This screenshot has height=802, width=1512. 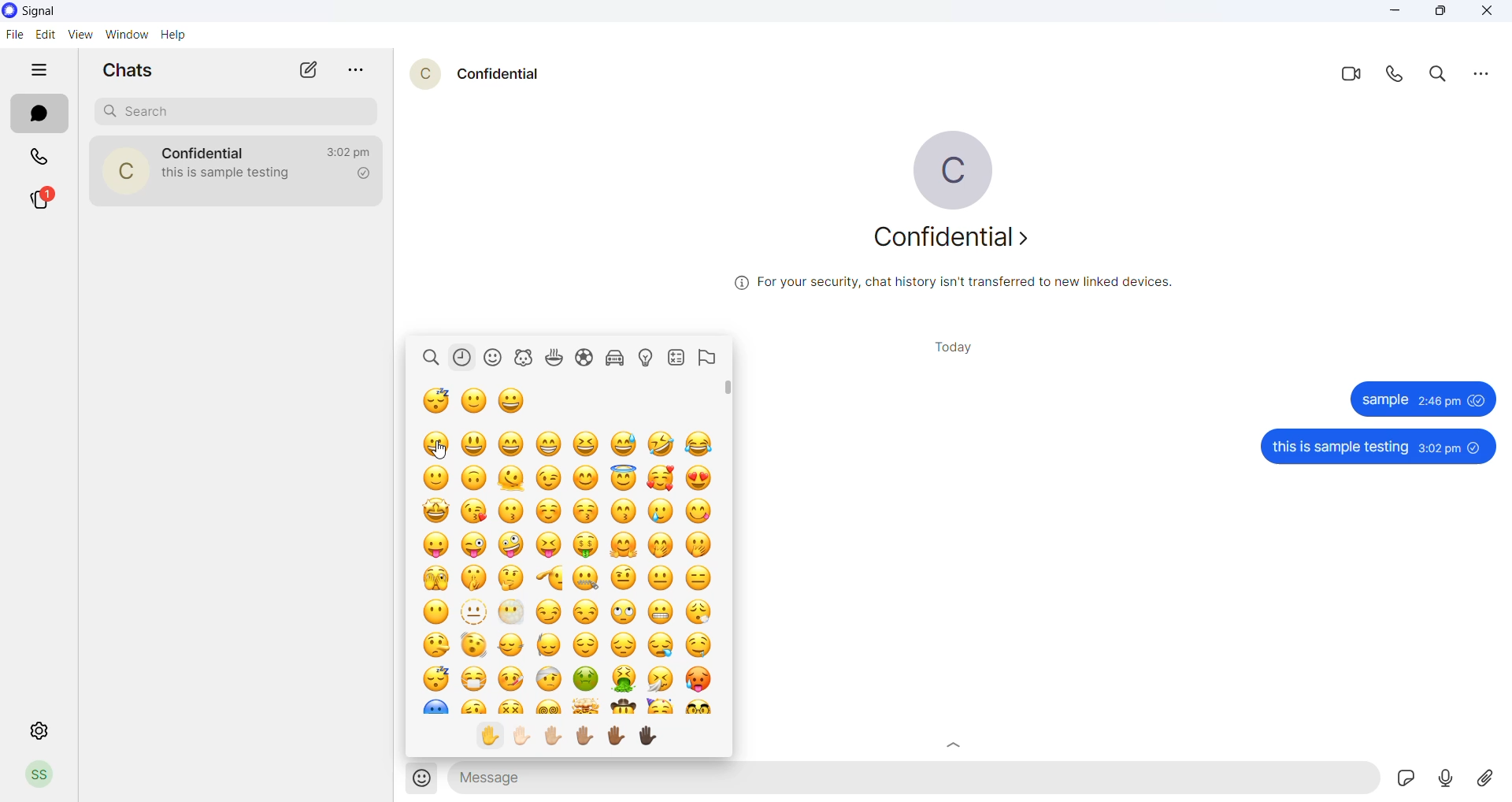 What do you see at coordinates (238, 179) in the screenshot?
I see `last message` at bounding box center [238, 179].